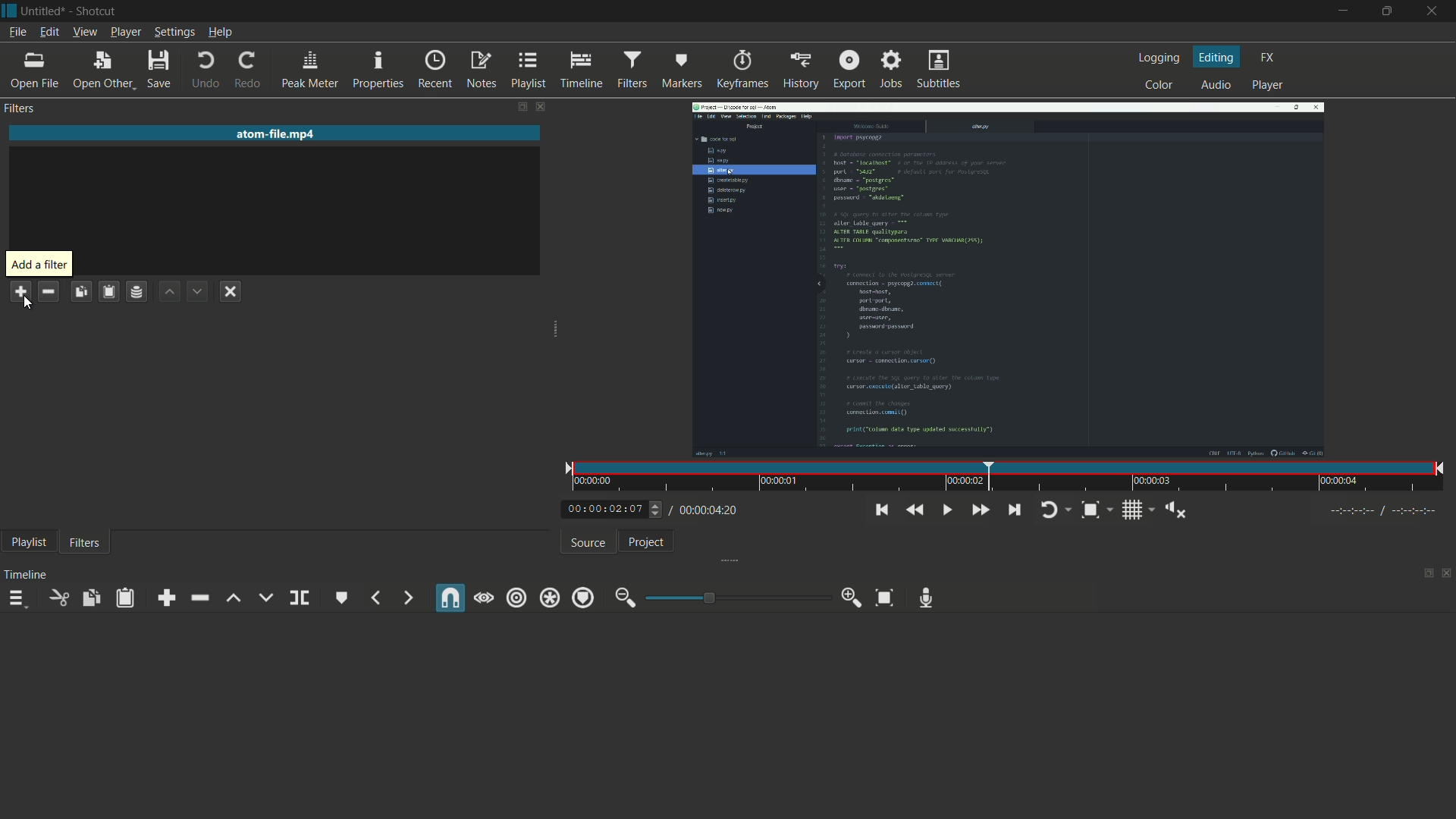 The height and width of the screenshot is (819, 1456). What do you see at coordinates (1266, 86) in the screenshot?
I see `player` at bounding box center [1266, 86].